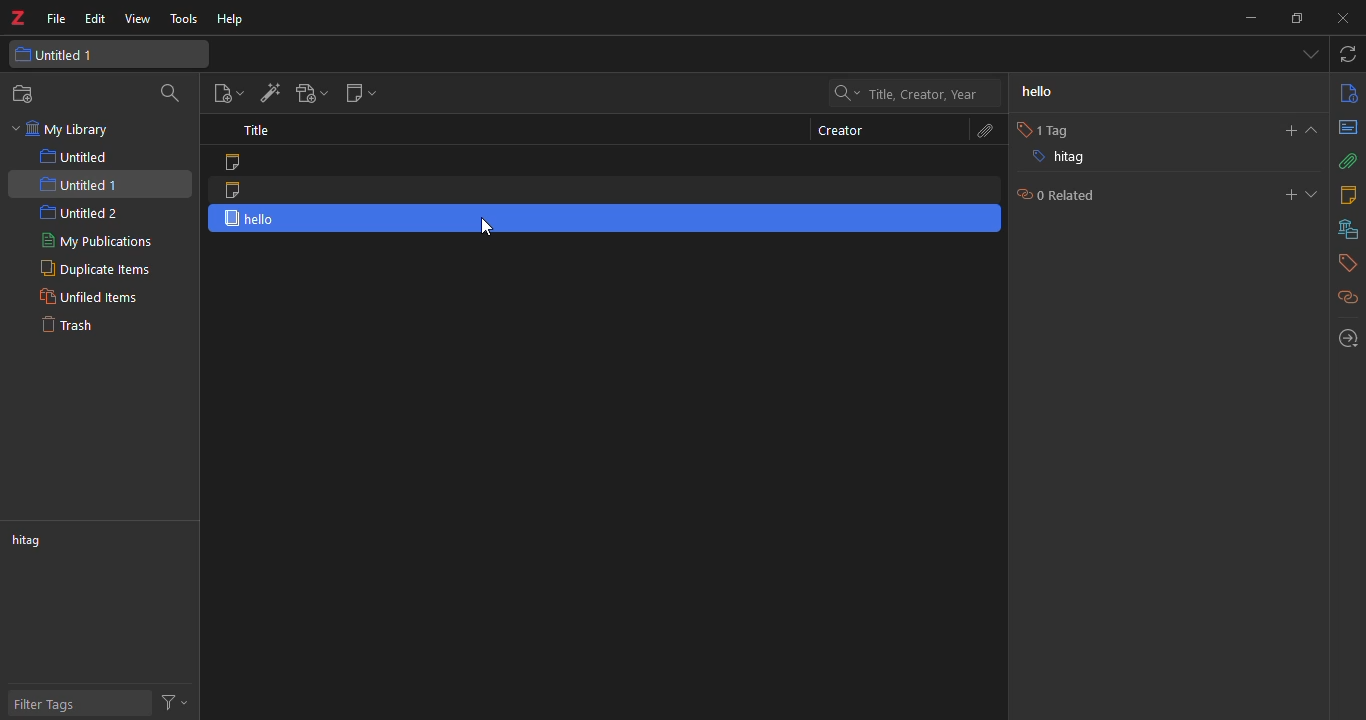 This screenshot has height=720, width=1366. Describe the element at coordinates (179, 18) in the screenshot. I see `tools` at that location.